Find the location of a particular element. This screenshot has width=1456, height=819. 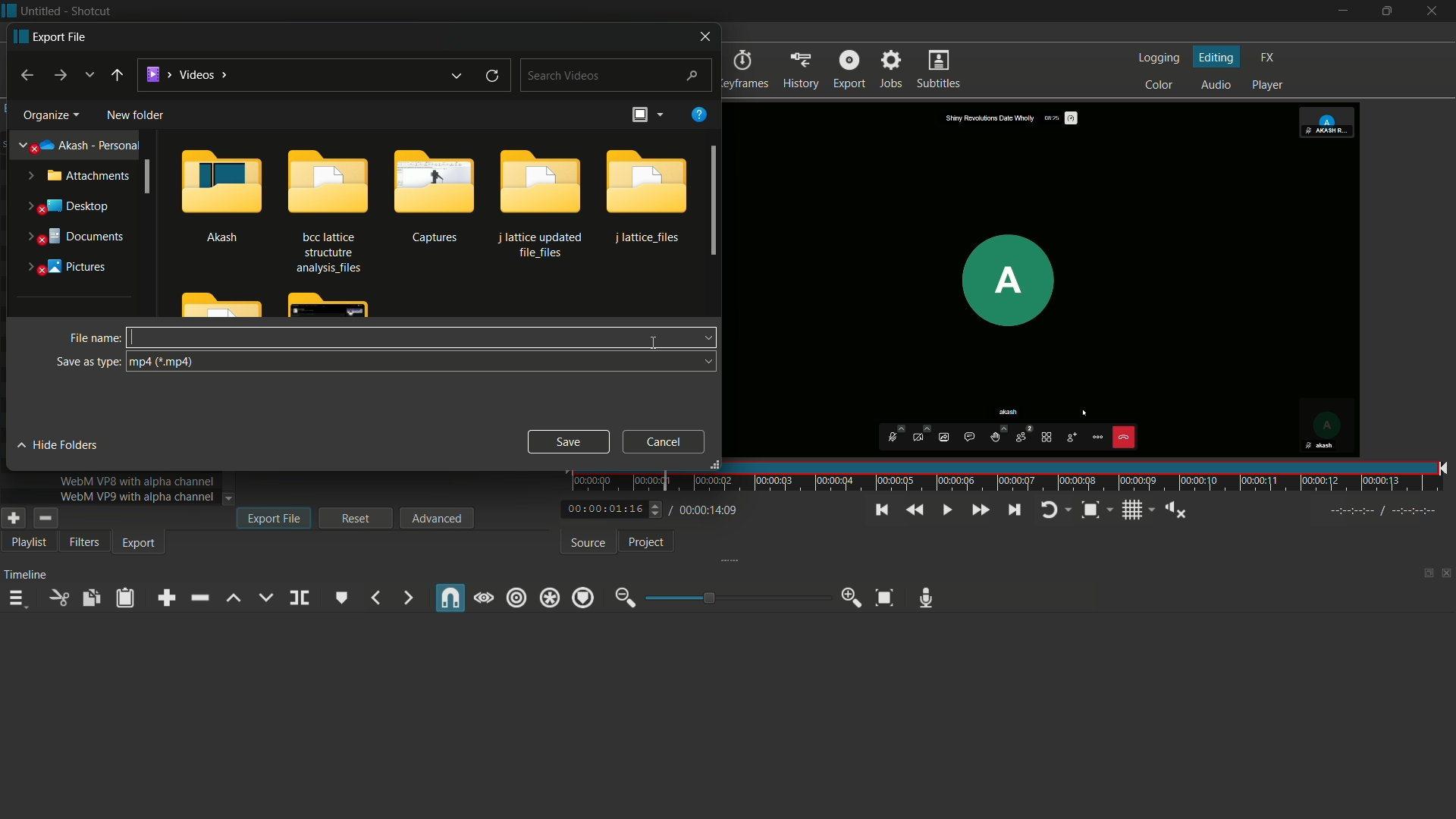

akash personal is located at coordinates (80, 143).